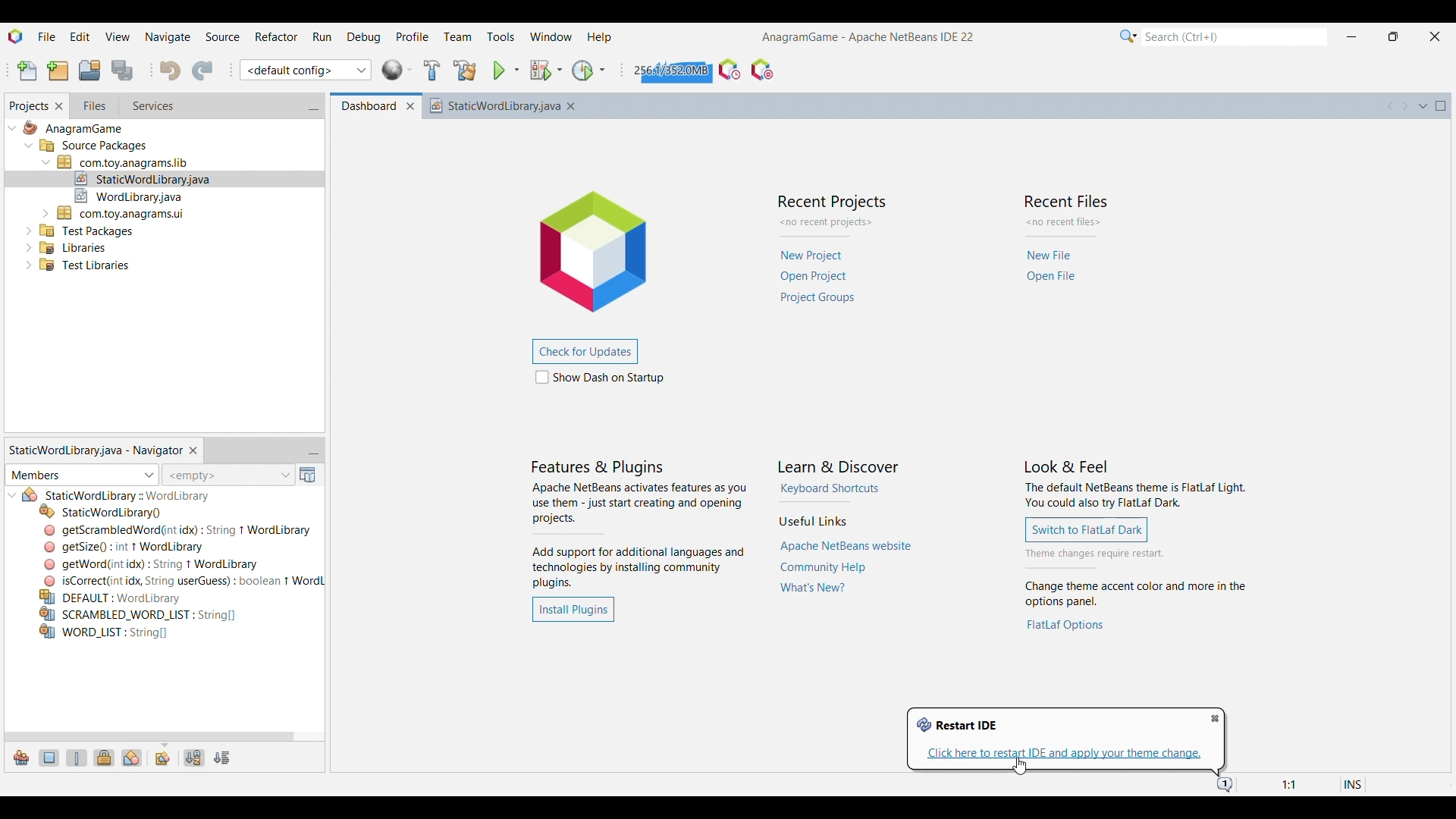 The height and width of the screenshot is (819, 1456). I want to click on View menu, so click(118, 36).